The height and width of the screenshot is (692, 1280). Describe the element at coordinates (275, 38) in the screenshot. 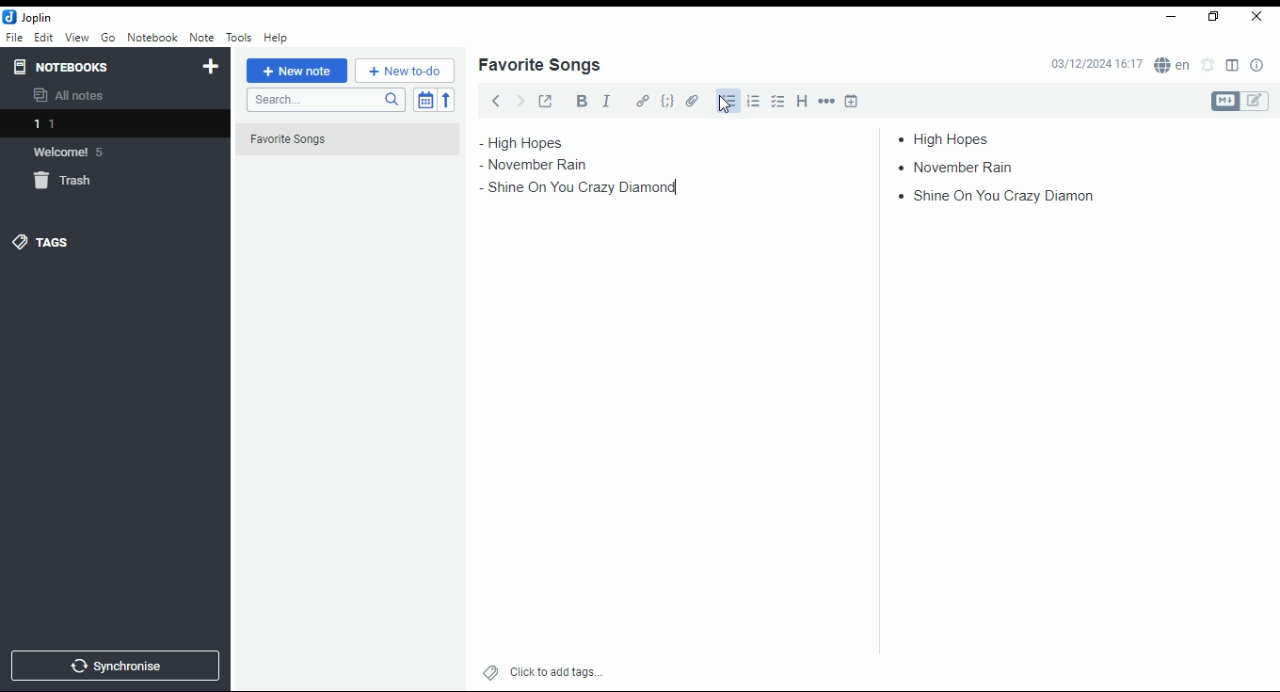

I see `help` at that location.